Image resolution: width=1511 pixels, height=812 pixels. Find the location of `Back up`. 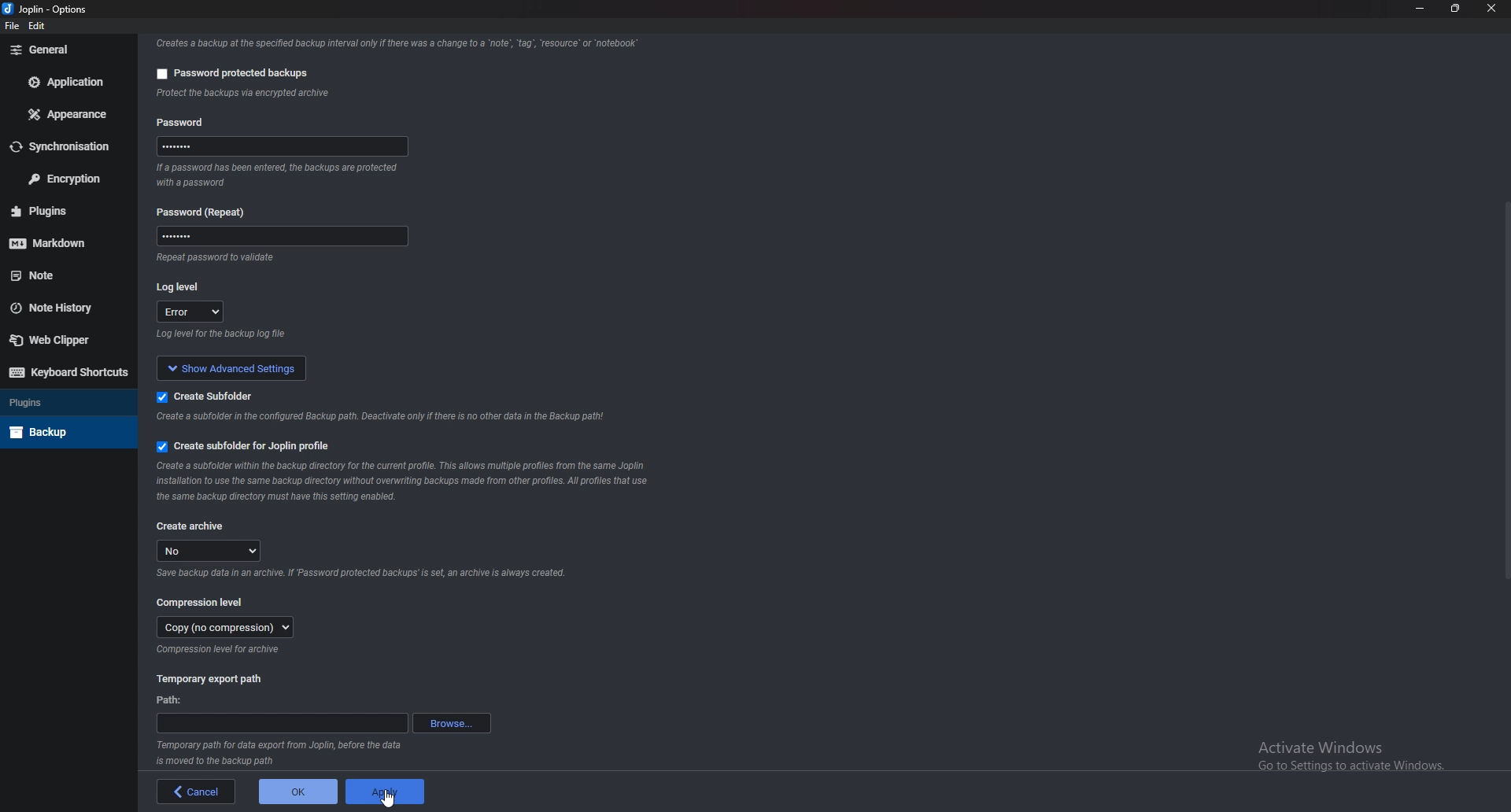

Back up is located at coordinates (65, 430).